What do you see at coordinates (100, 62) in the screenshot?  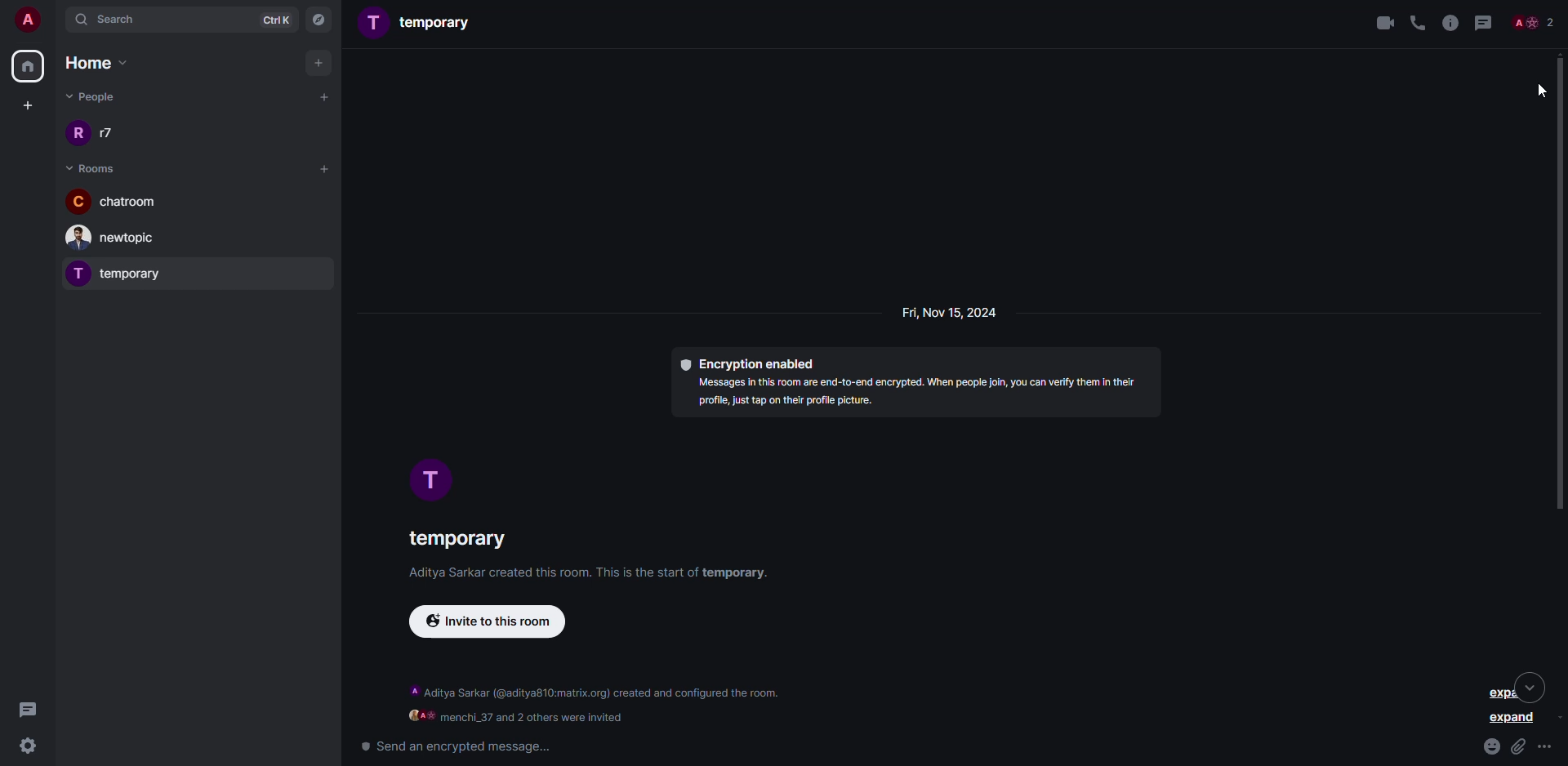 I see `home` at bounding box center [100, 62].